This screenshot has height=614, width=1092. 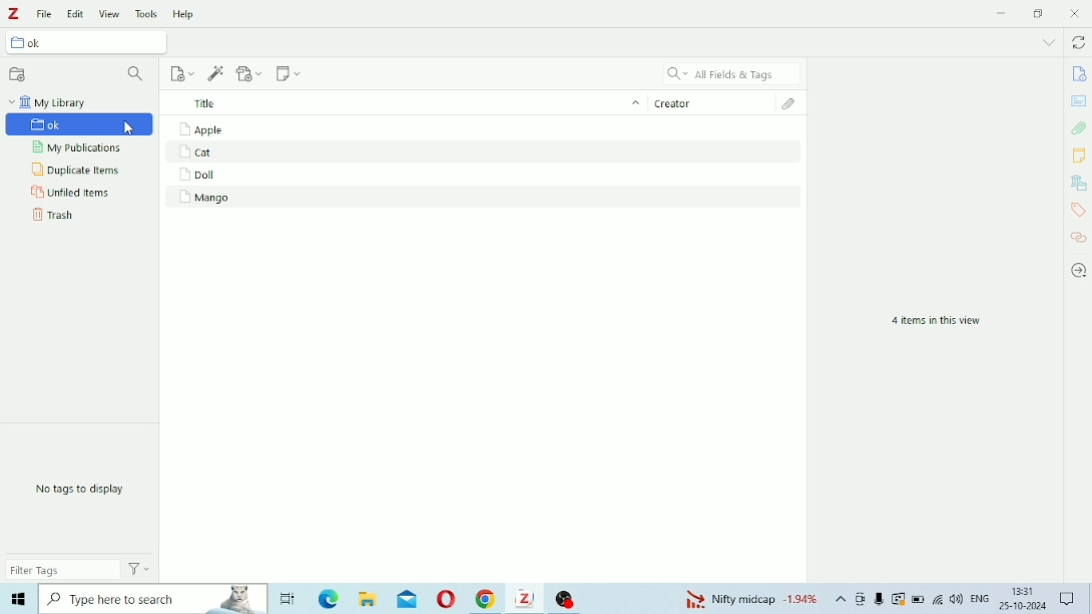 I want to click on ENG, so click(x=979, y=597).